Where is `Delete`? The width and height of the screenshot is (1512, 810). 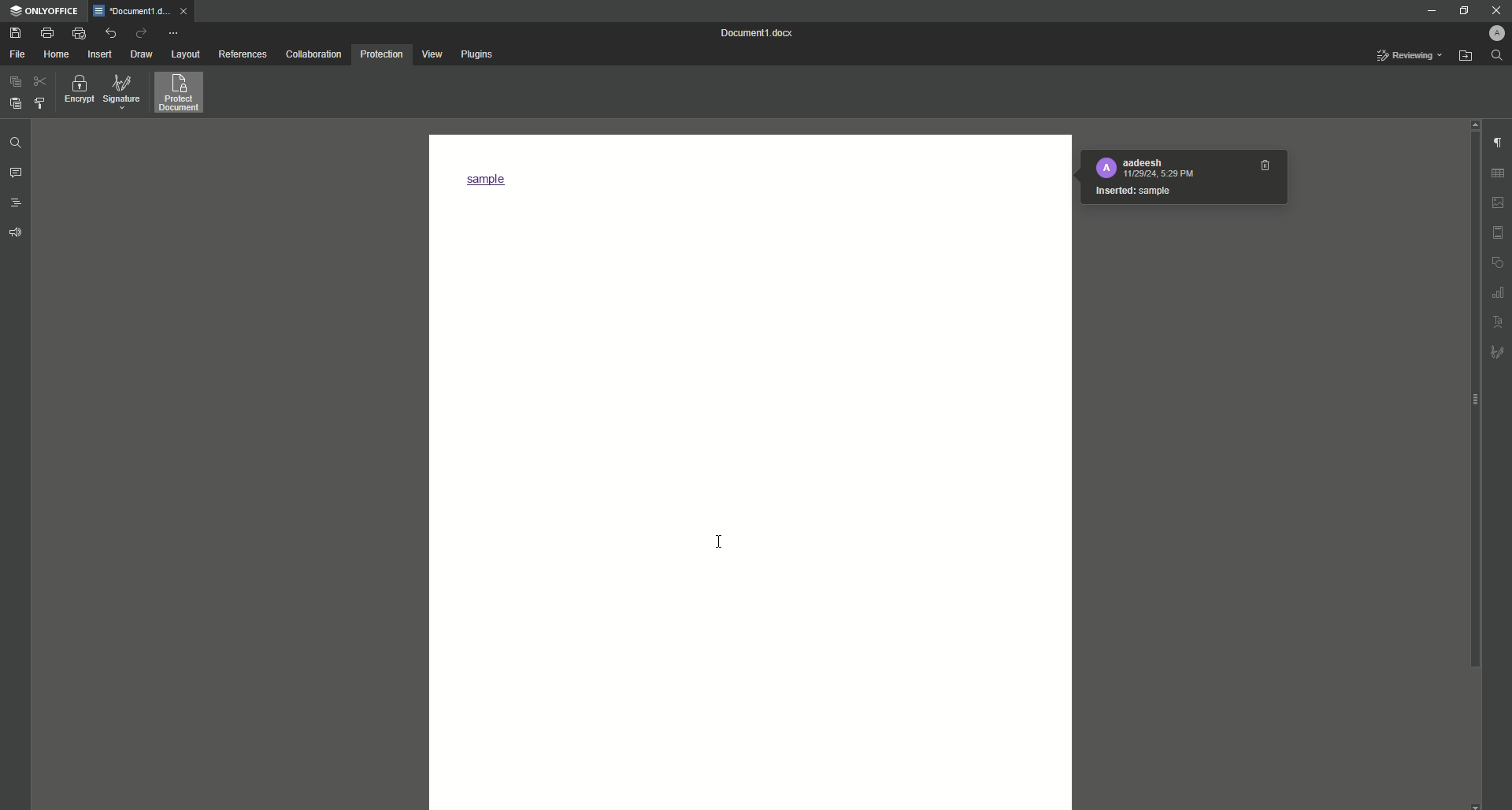
Delete is located at coordinates (1266, 165).